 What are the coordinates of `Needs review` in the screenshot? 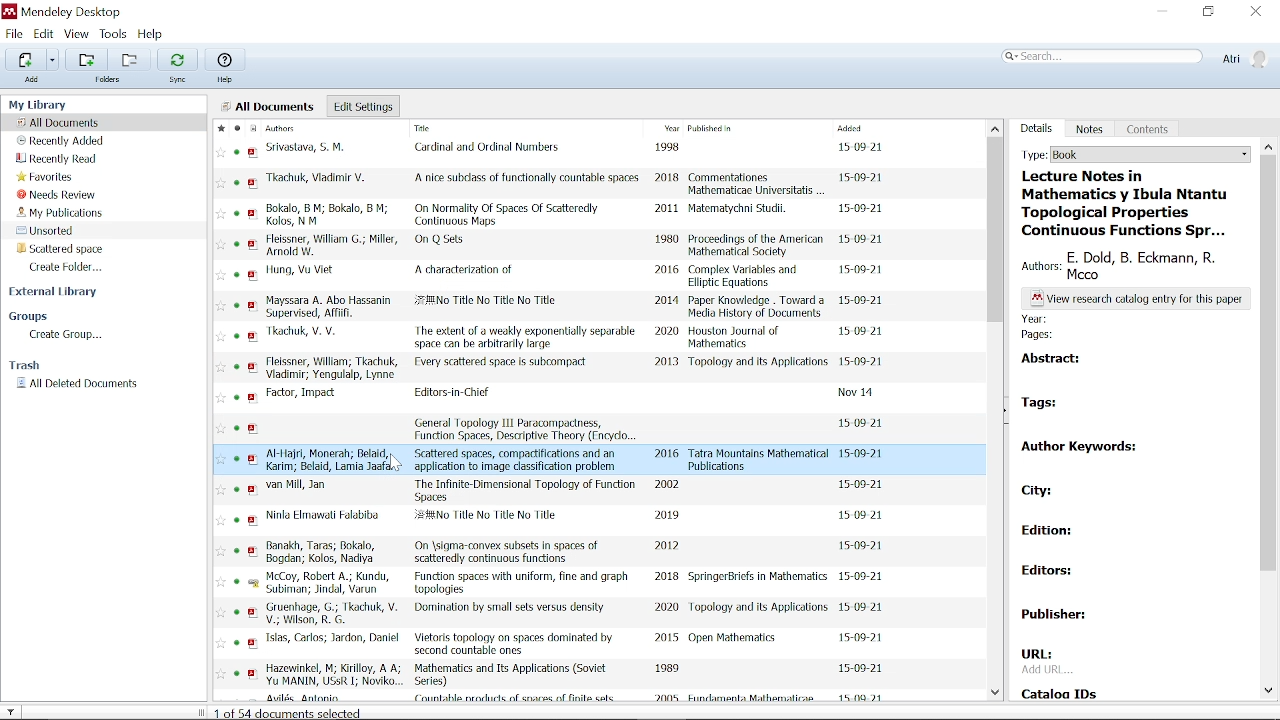 It's located at (57, 195).